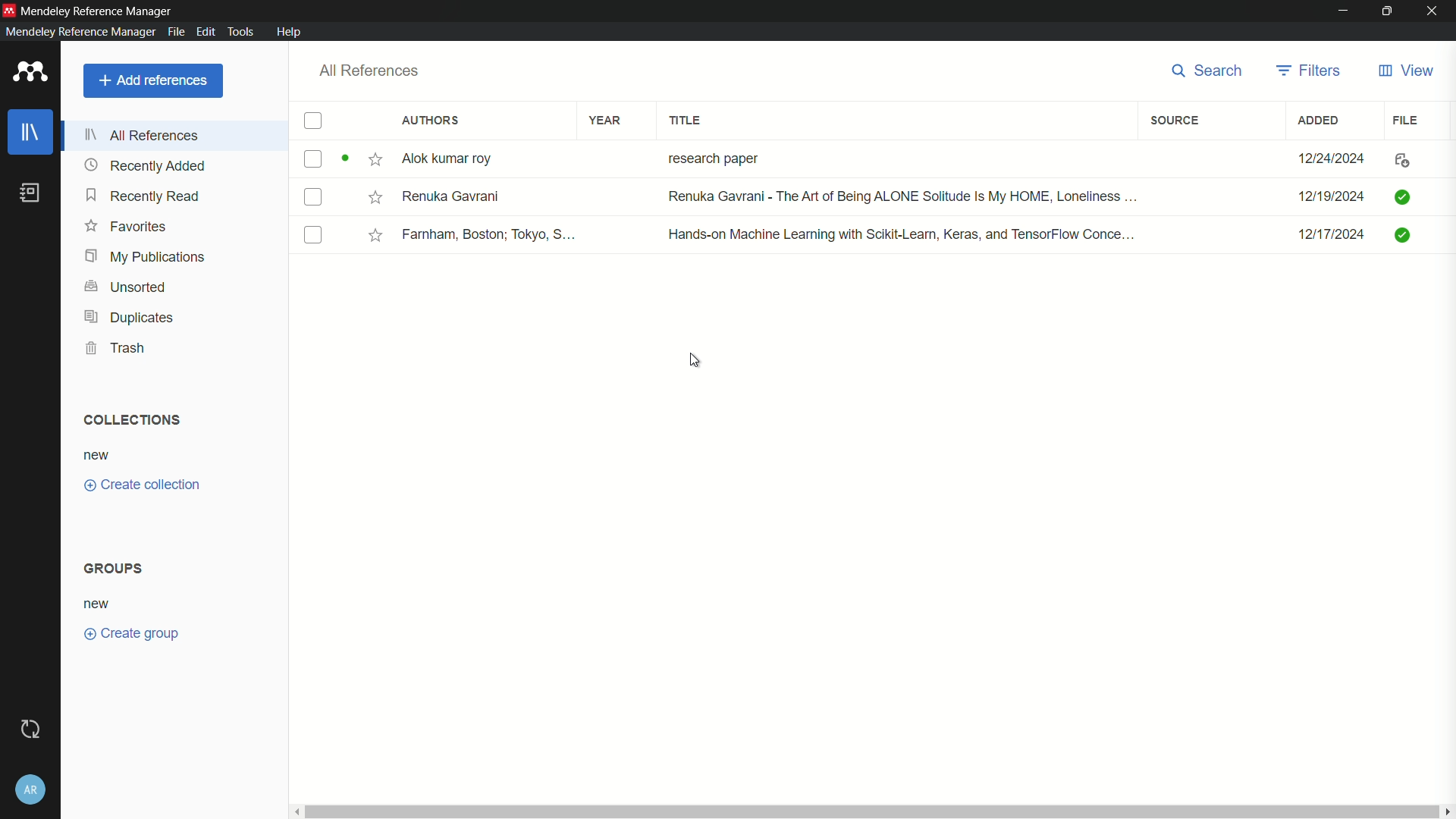  Describe the element at coordinates (128, 318) in the screenshot. I see `duplicates` at that location.